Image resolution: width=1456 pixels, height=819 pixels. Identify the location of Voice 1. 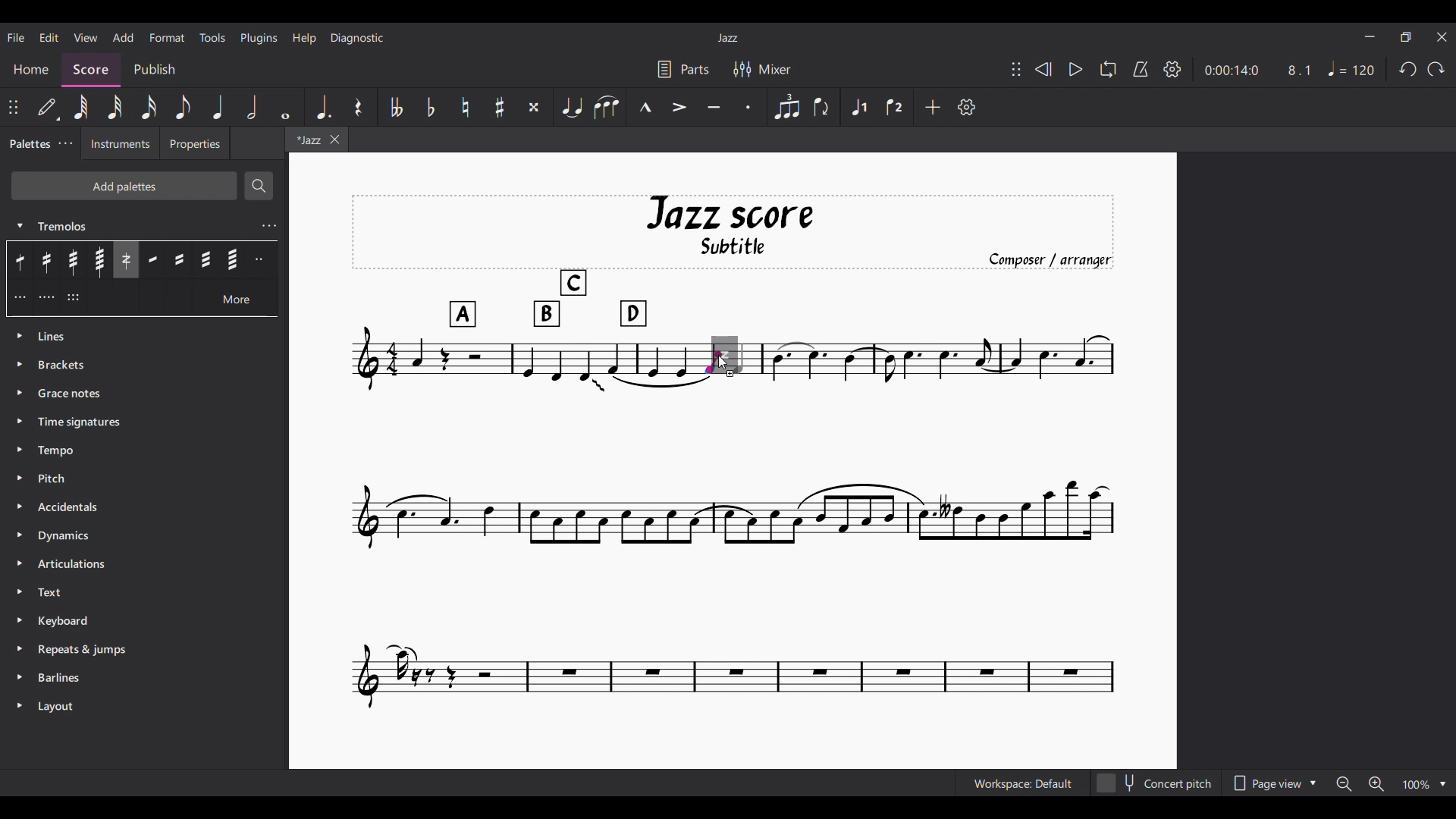
(858, 106).